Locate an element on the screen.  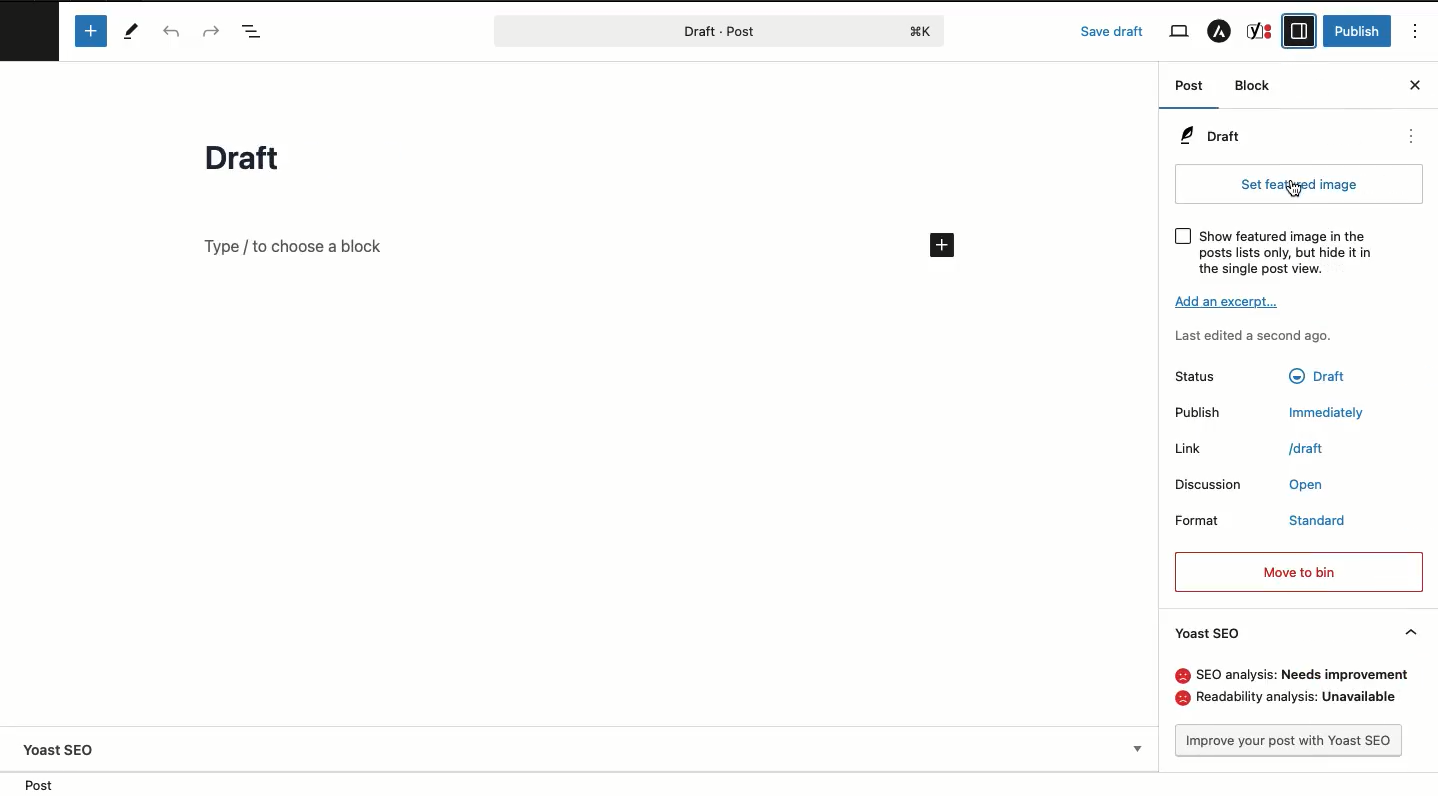
Last edited is located at coordinates (1255, 336).